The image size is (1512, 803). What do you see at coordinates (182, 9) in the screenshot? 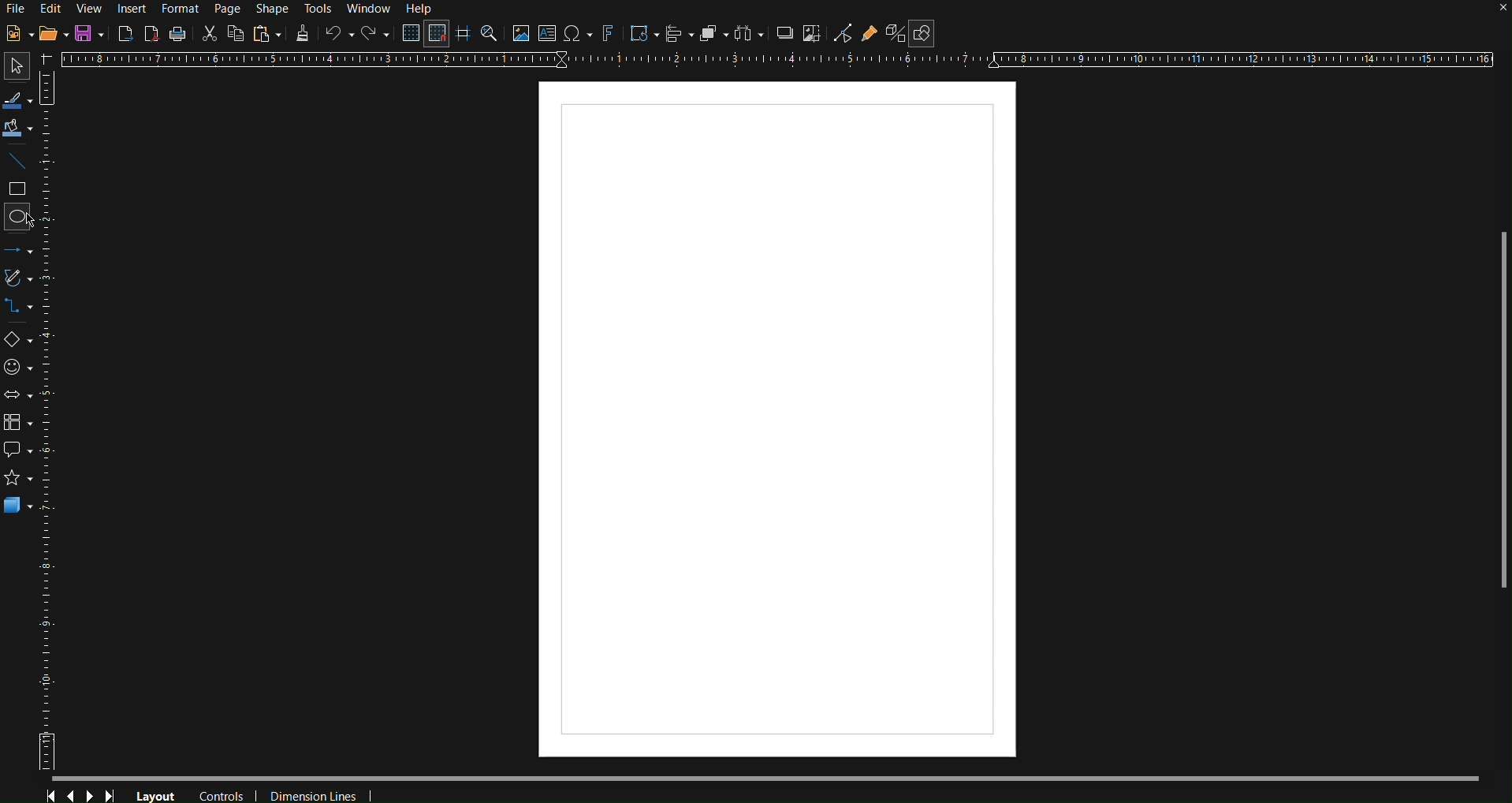
I see `Format` at bounding box center [182, 9].